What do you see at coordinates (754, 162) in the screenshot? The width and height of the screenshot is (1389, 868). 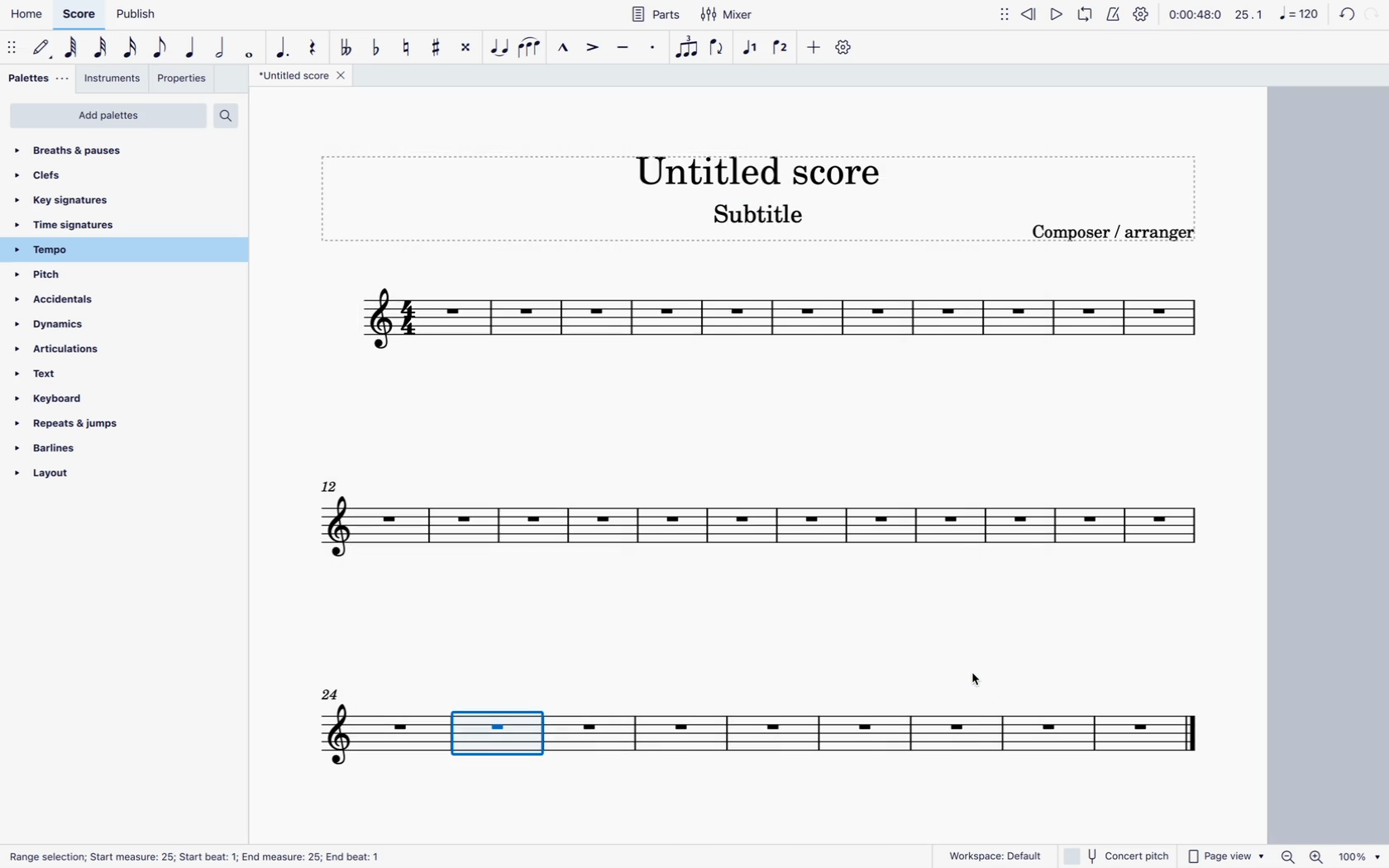 I see `Untitled score` at bounding box center [754, 162].